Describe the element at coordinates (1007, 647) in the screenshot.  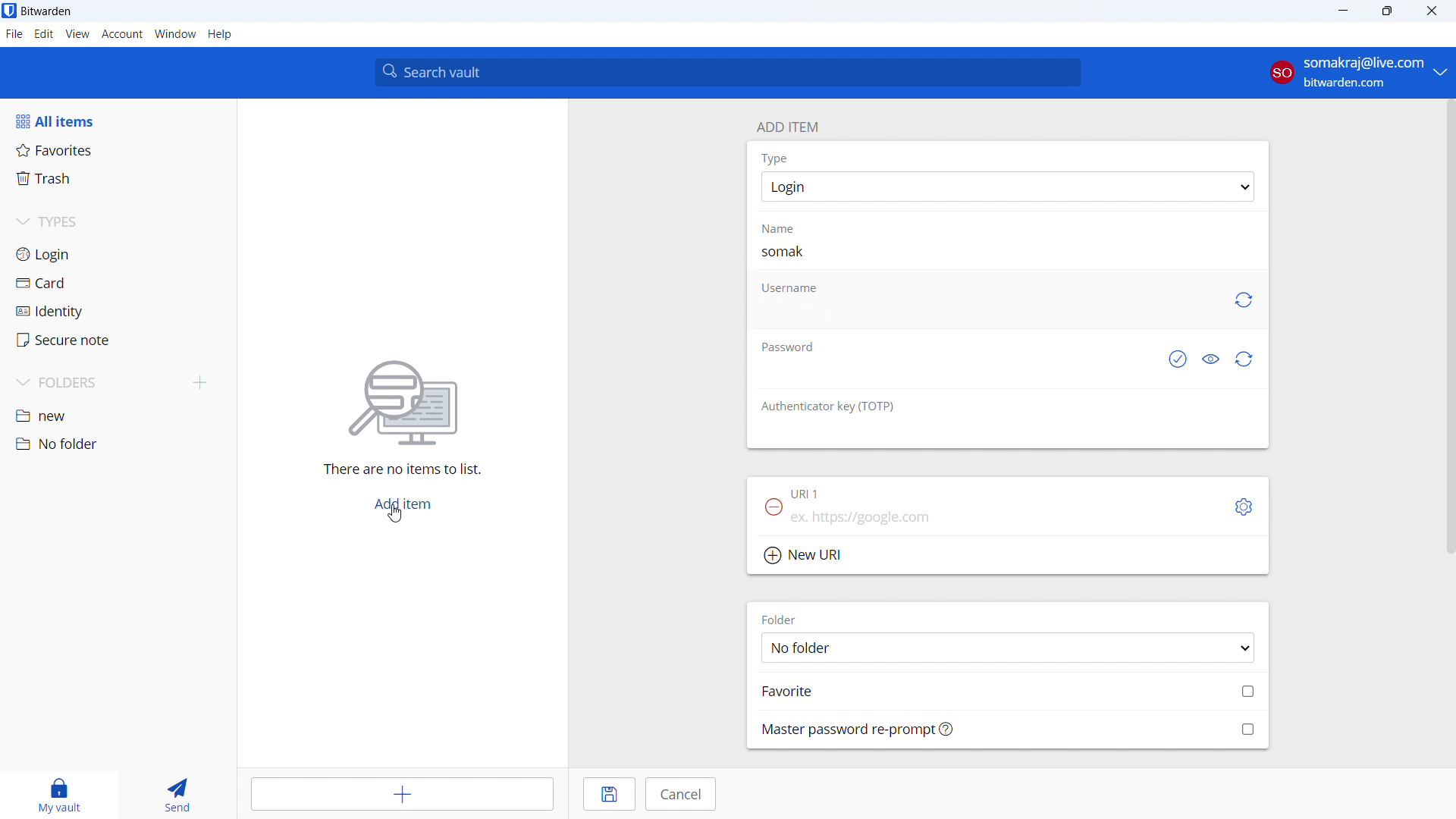
I see `select folder` at that location.